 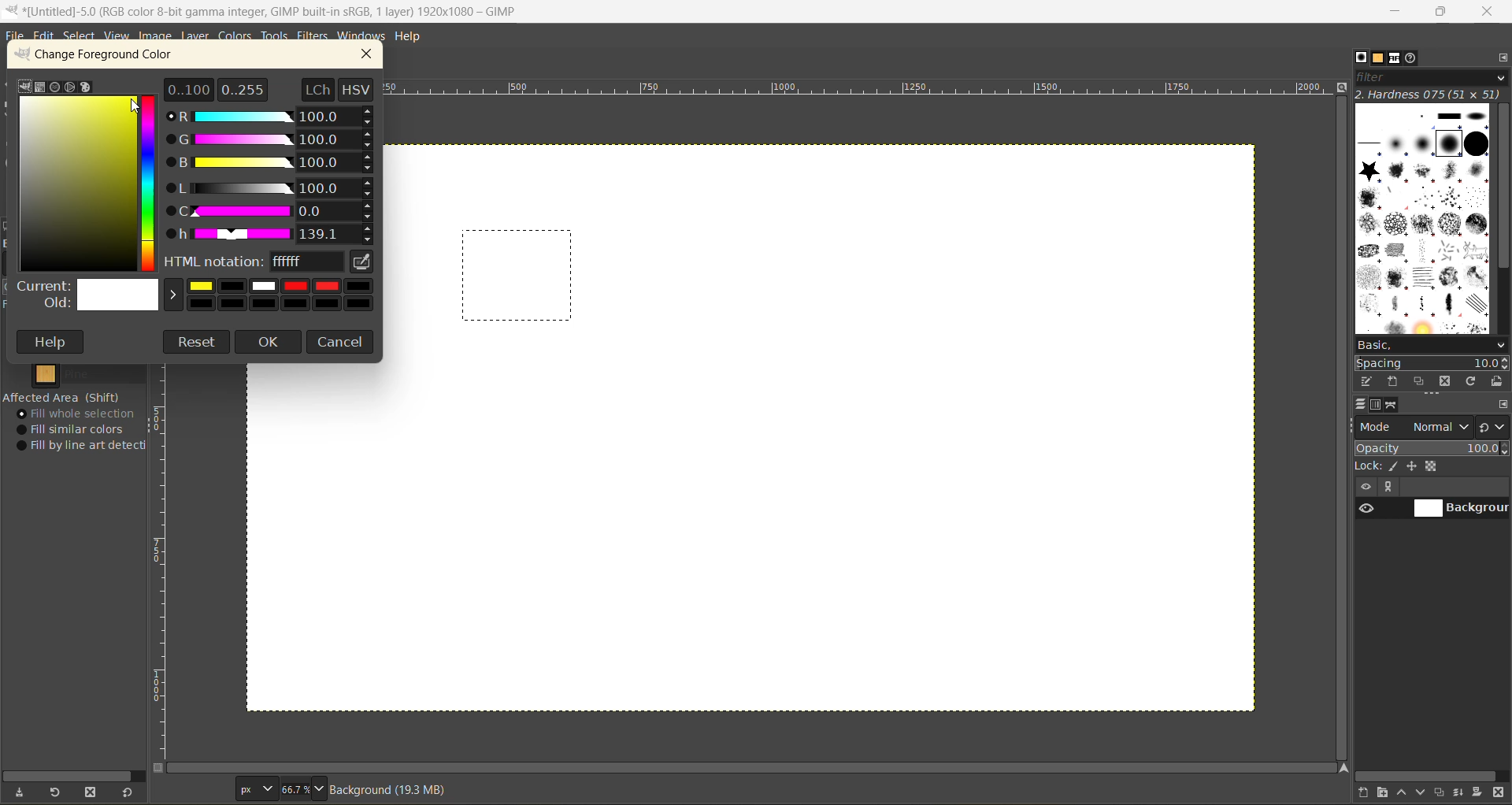 What do you see at coordinates (1365, 510) in the screenshot?
I see `preview` at bounding box center [1365, 510].